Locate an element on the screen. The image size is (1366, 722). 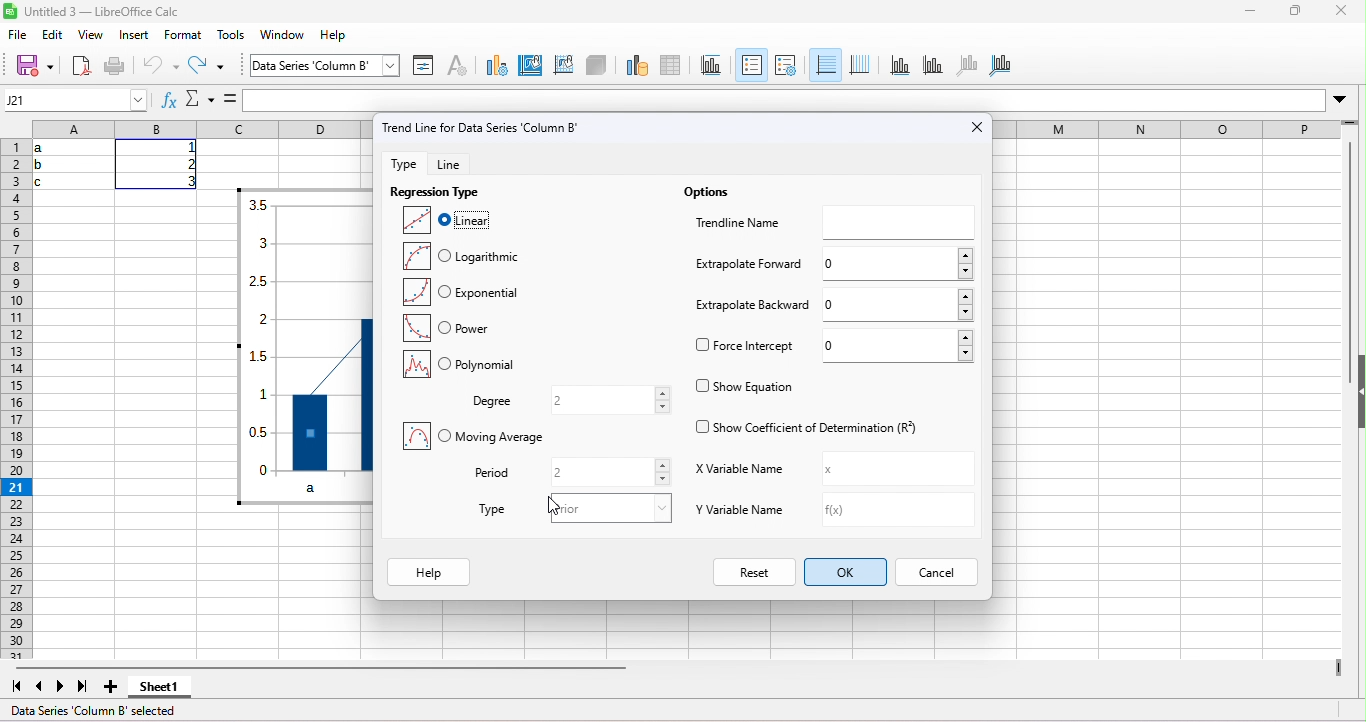
maximize is located at coordinates (1294, 13).